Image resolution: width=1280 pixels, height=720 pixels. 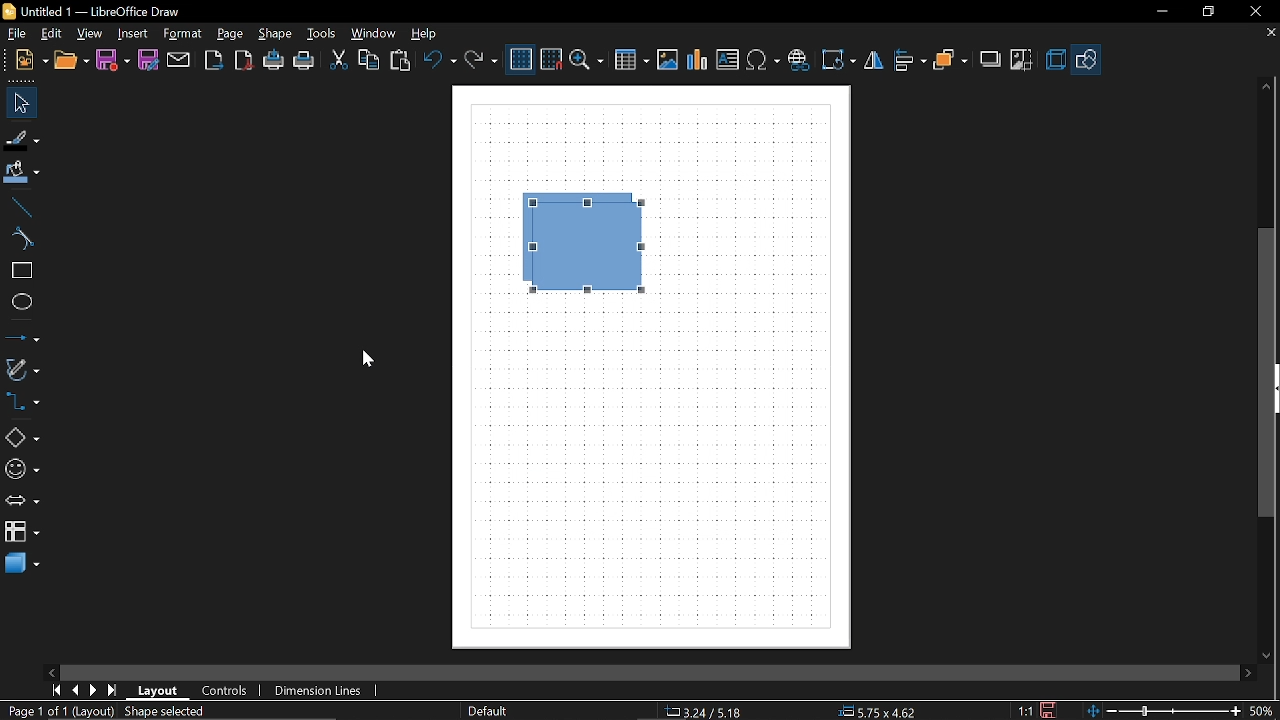 What do you see at coordinates (1204, 12) in the screenshot?
I see `Restore down` at bounding box center [1204, 12].